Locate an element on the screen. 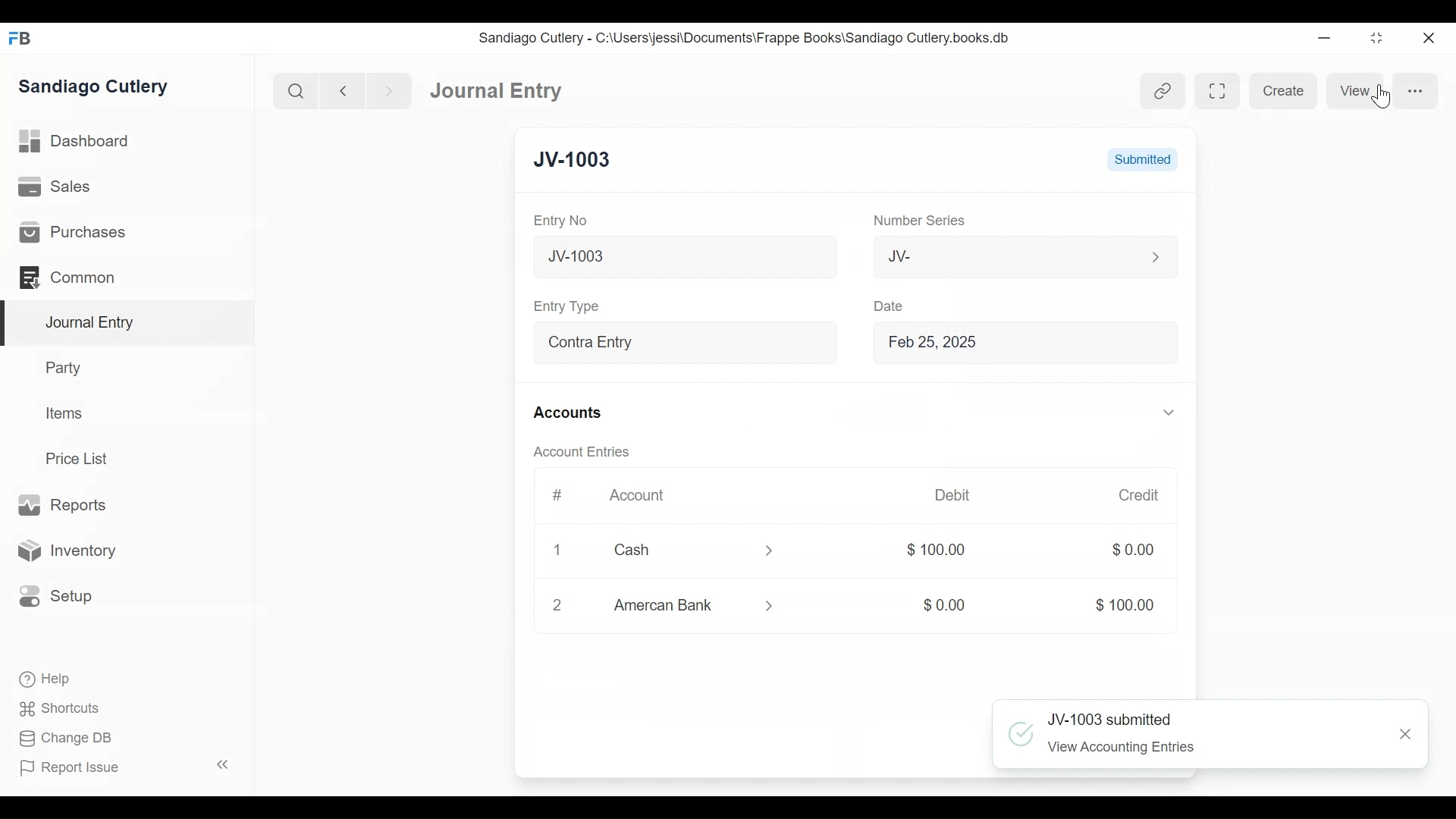 This screenshot has width=1456, height=819. Frappe Books Desktop icon is located at coordinates (19, 38).